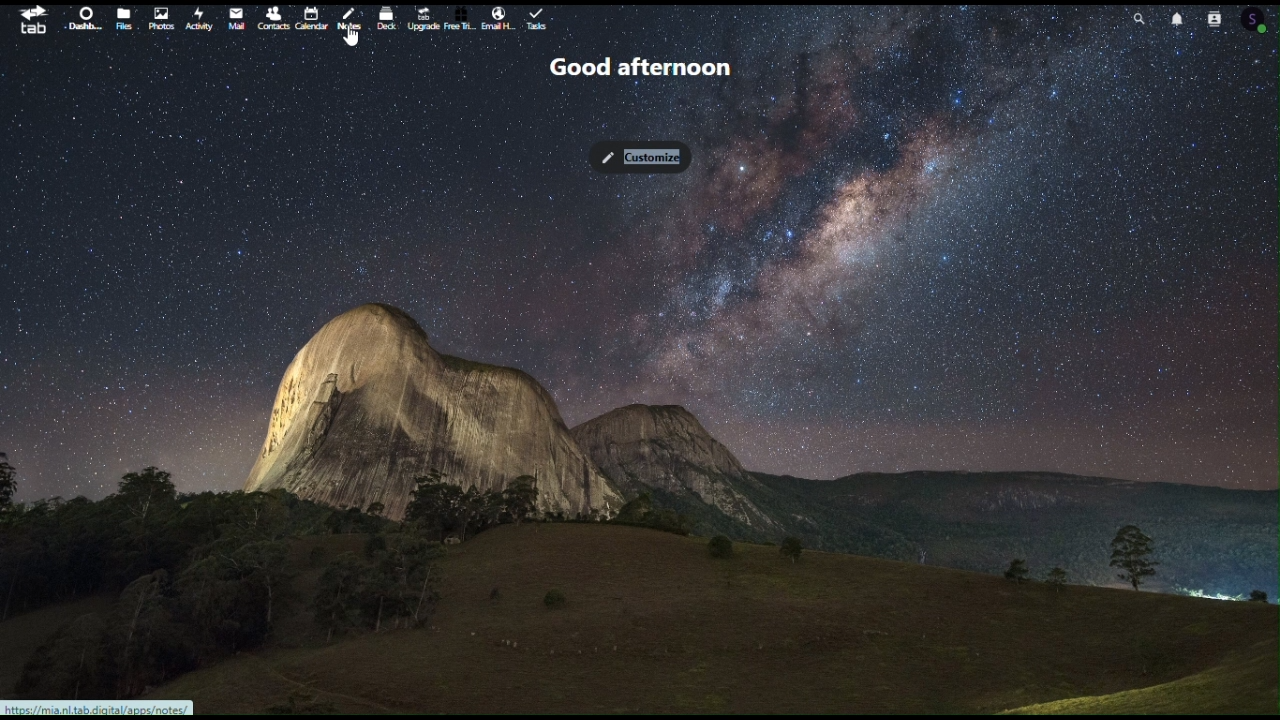  I want to click on tab, so click(26, 19).